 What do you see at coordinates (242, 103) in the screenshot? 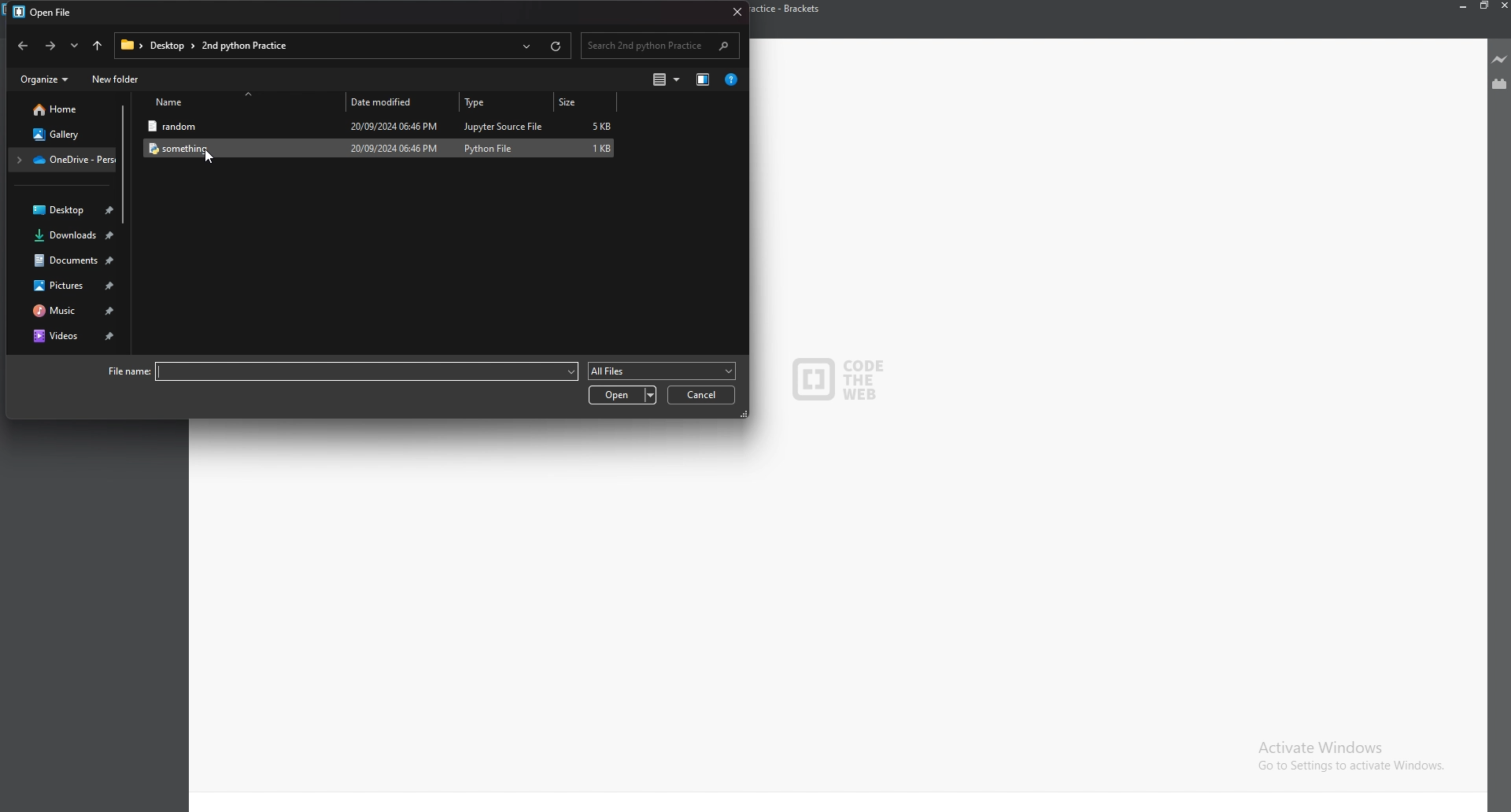
I see `name` at bounding box center [242, 103].